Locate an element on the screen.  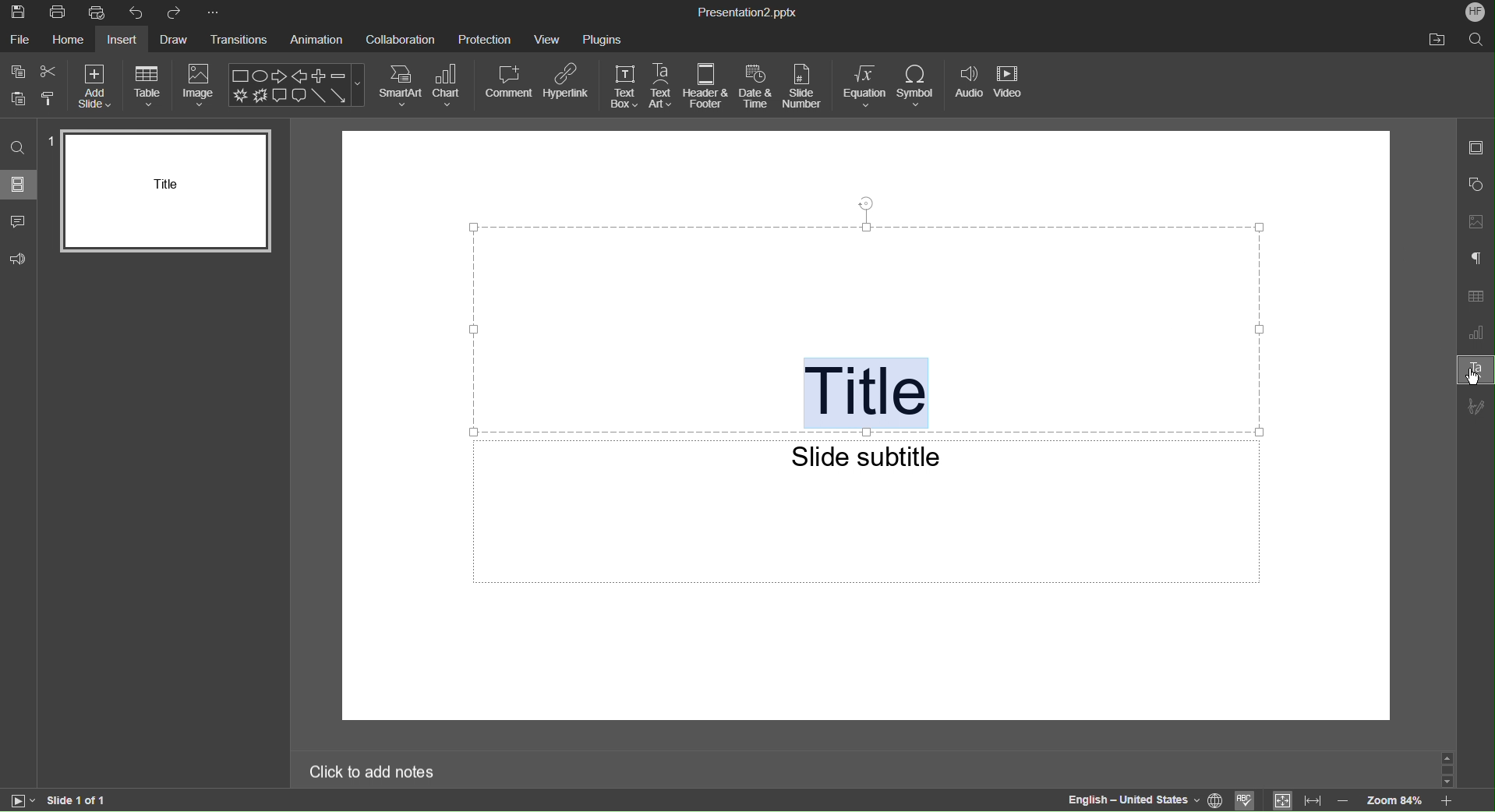
Audio is located at coordinates (969, 86).